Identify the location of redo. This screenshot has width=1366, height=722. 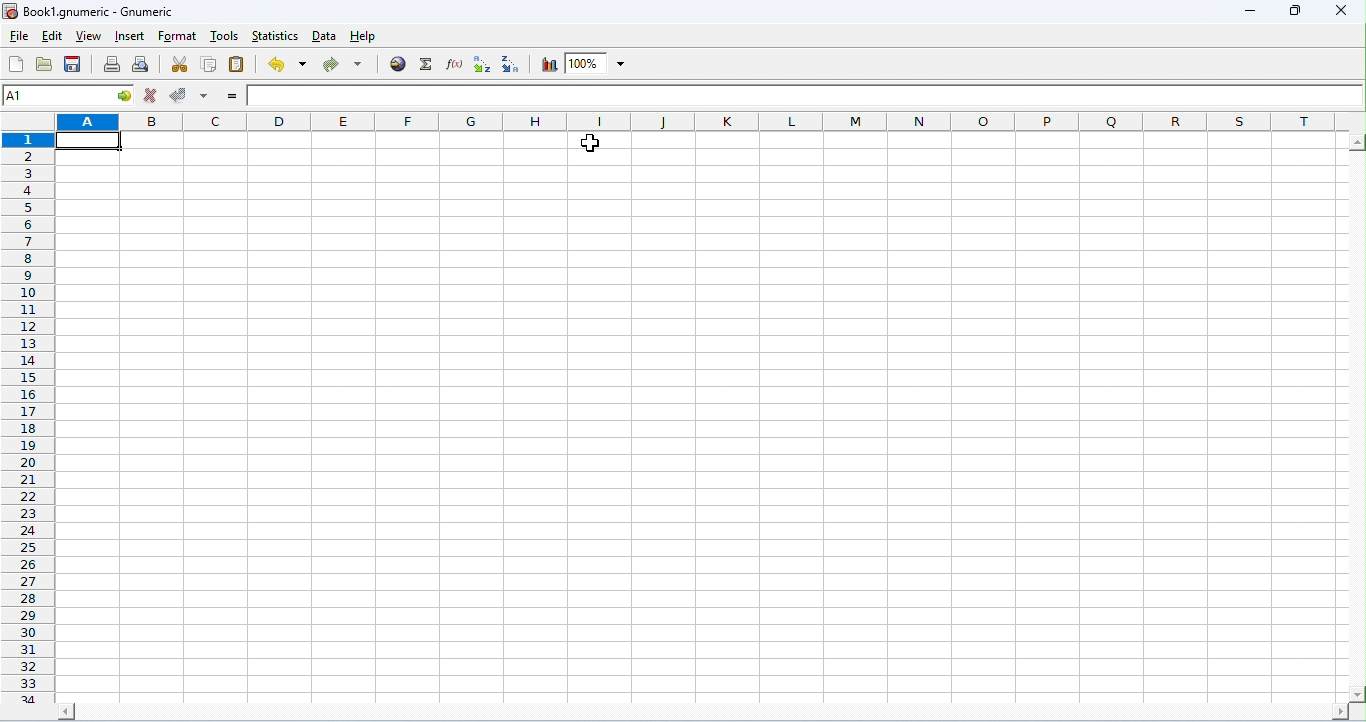
(346, 64).